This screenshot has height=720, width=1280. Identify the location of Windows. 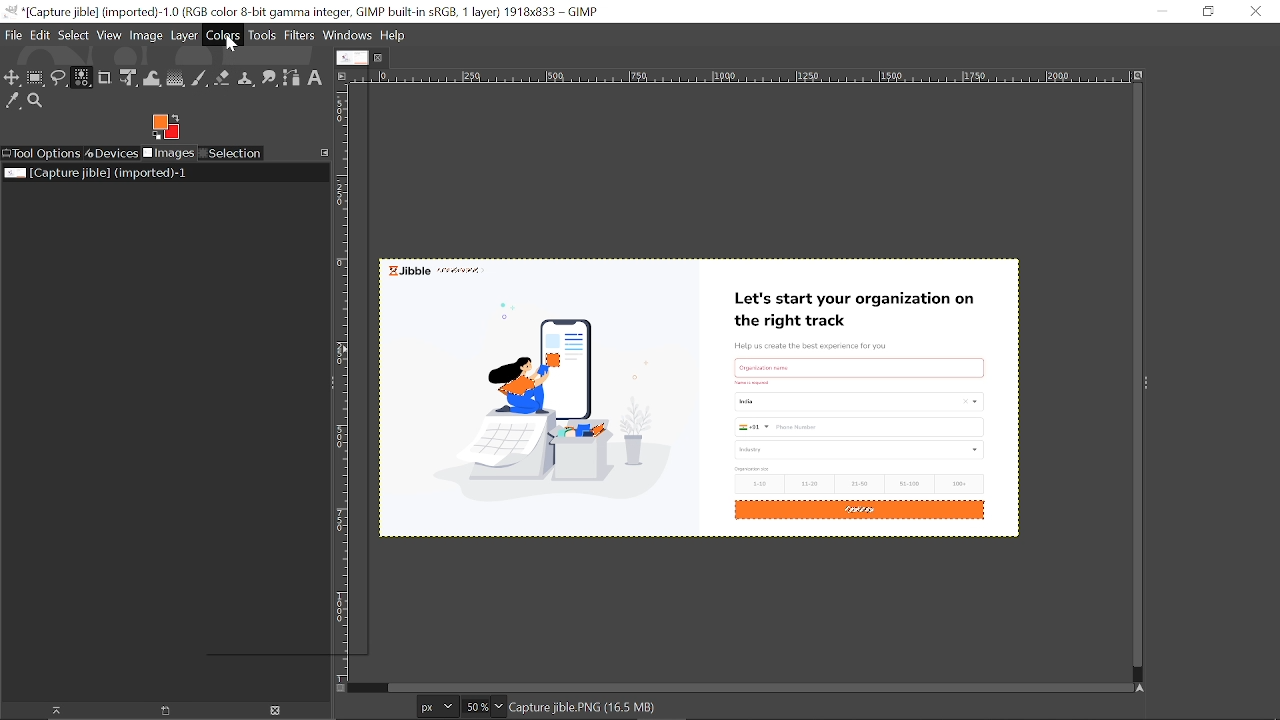
(349, 36).